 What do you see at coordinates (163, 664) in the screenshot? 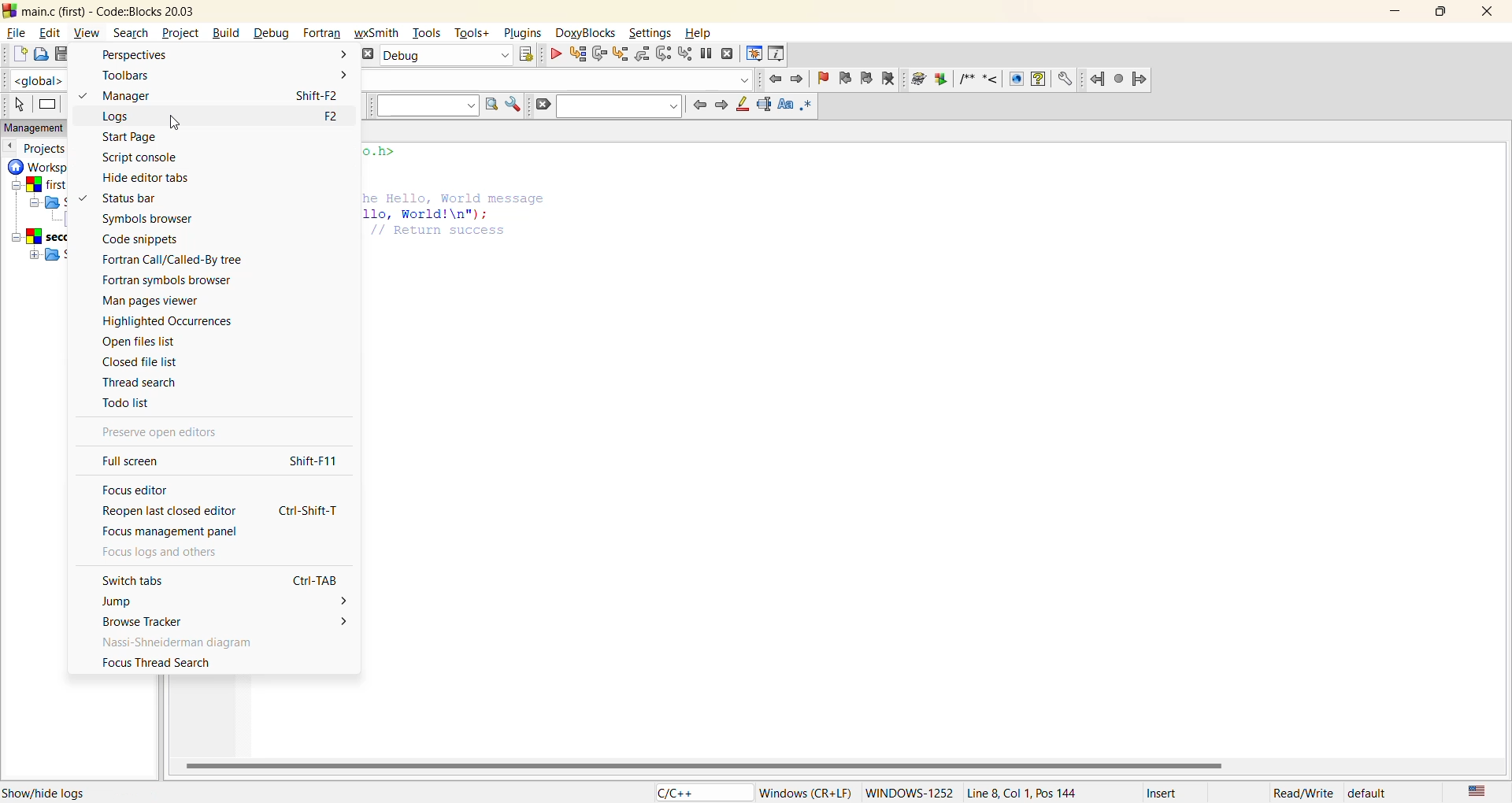
I see `focus thread search` at bounding box center [163, 664].